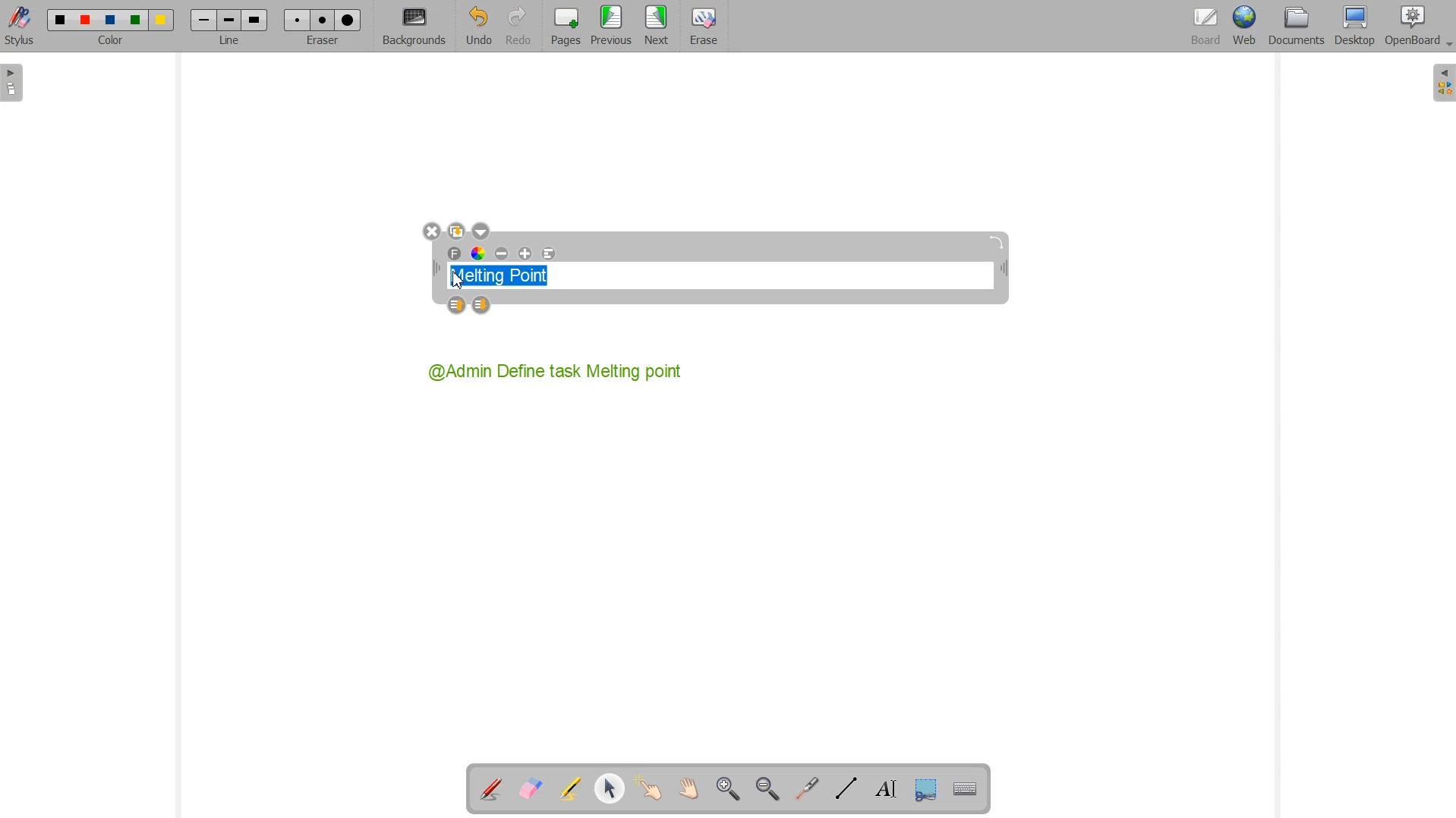 Image resolution: width=1456 pixels, height=818 pixels. What do you see at coordinates (963, 787) in the screenshot?
I see `Display virtual Keyboard` at bounding box center [963, 787].